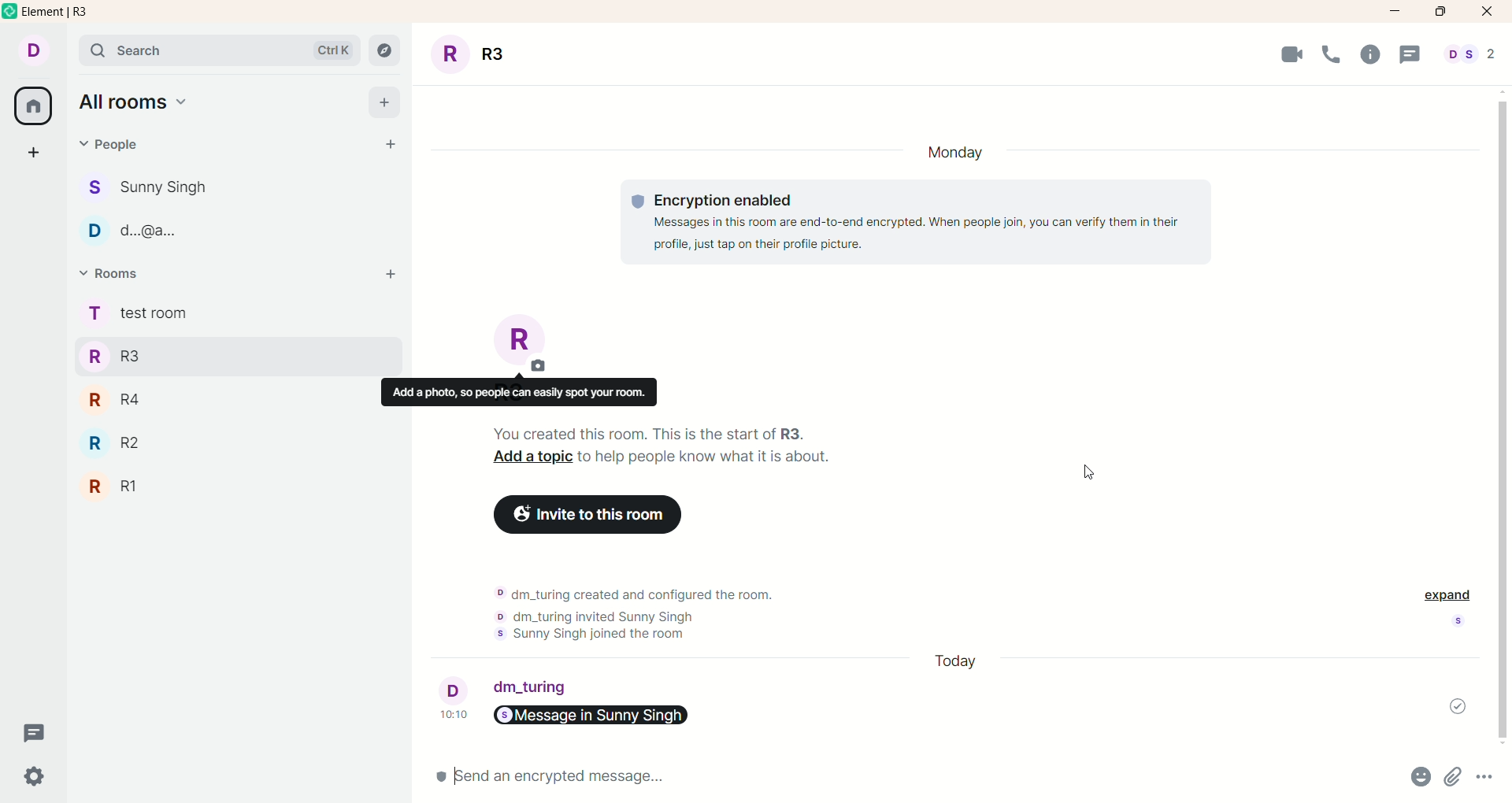 The height and width of the screenshot is (803, 1512). I want to click on start chat, so click(381, 146).